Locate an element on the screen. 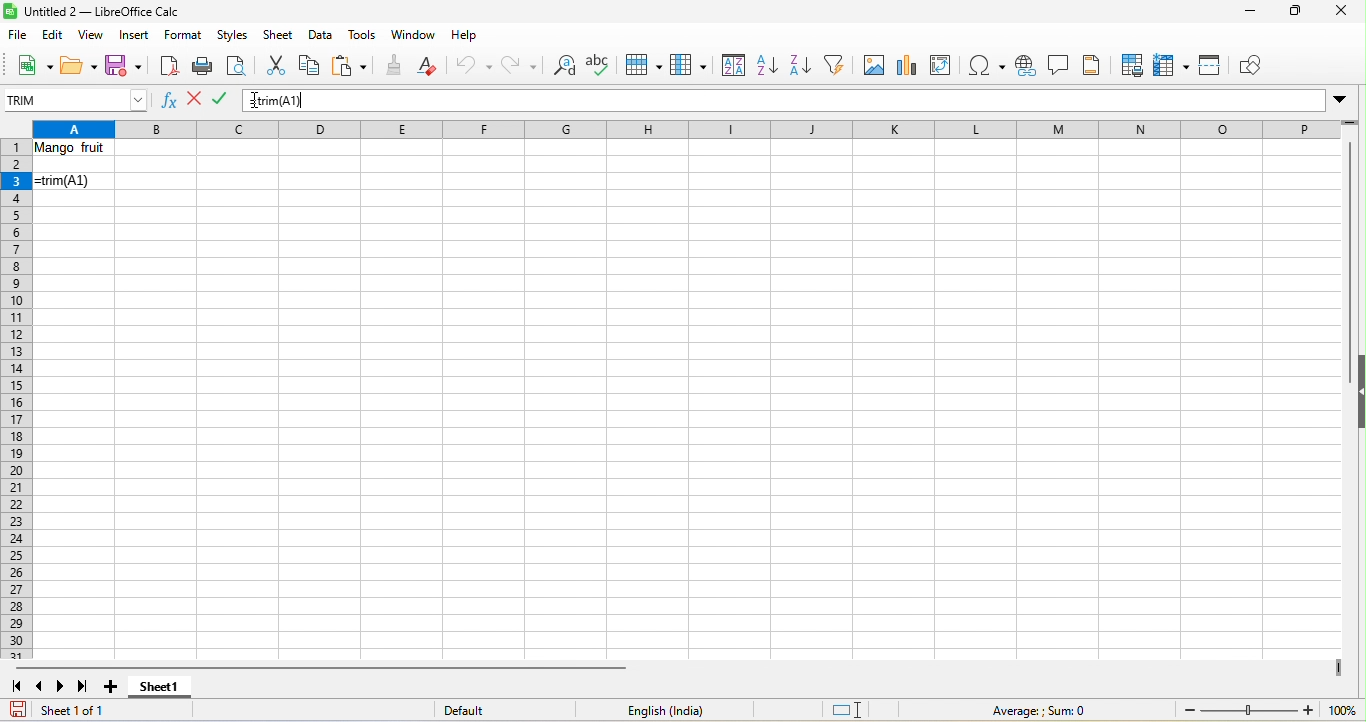 This screenshot has height=722, width=1366. format is located at coordinates (184, 37).